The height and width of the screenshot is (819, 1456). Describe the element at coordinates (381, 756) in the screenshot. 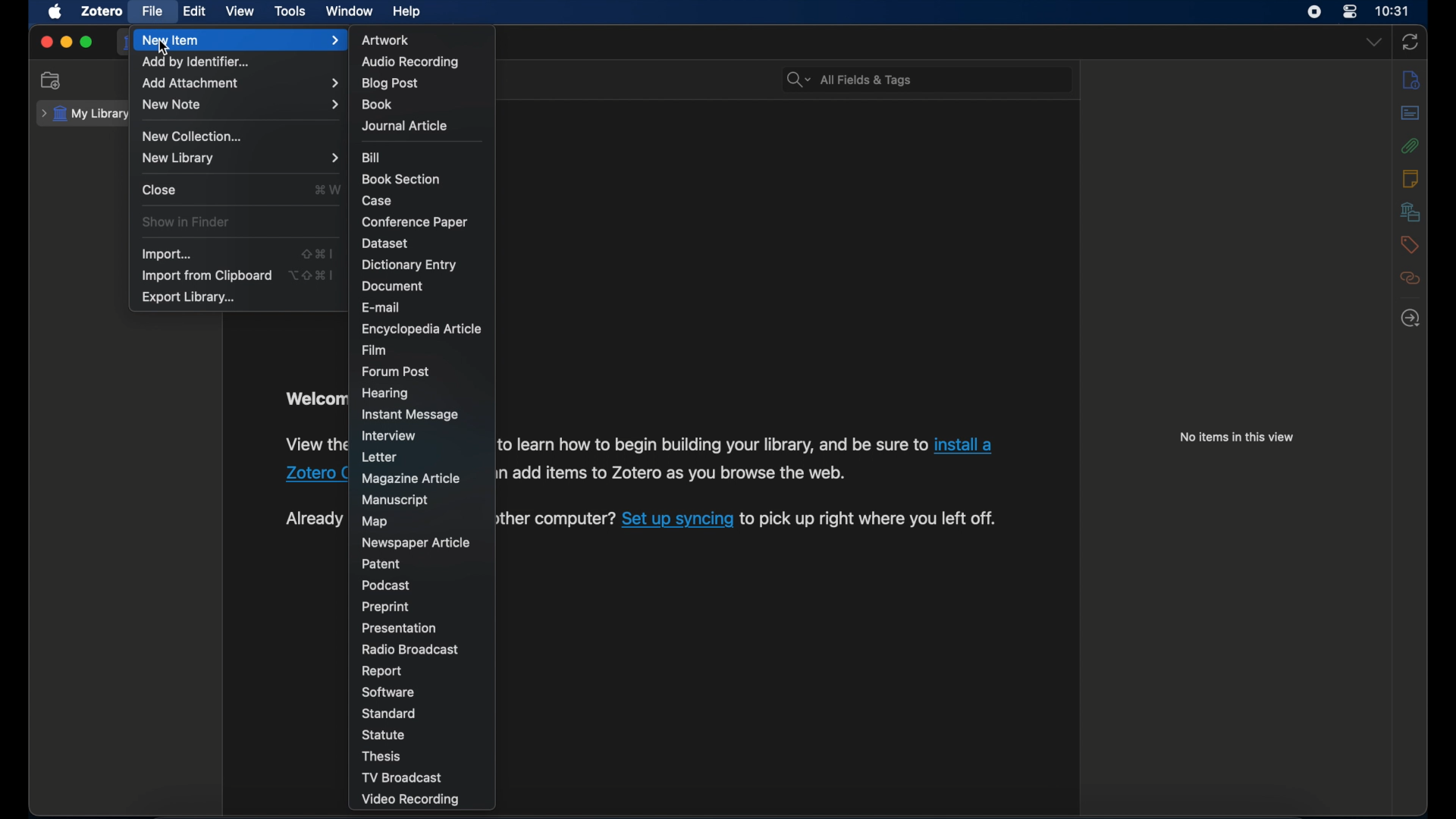

I see `thesis` at that location.